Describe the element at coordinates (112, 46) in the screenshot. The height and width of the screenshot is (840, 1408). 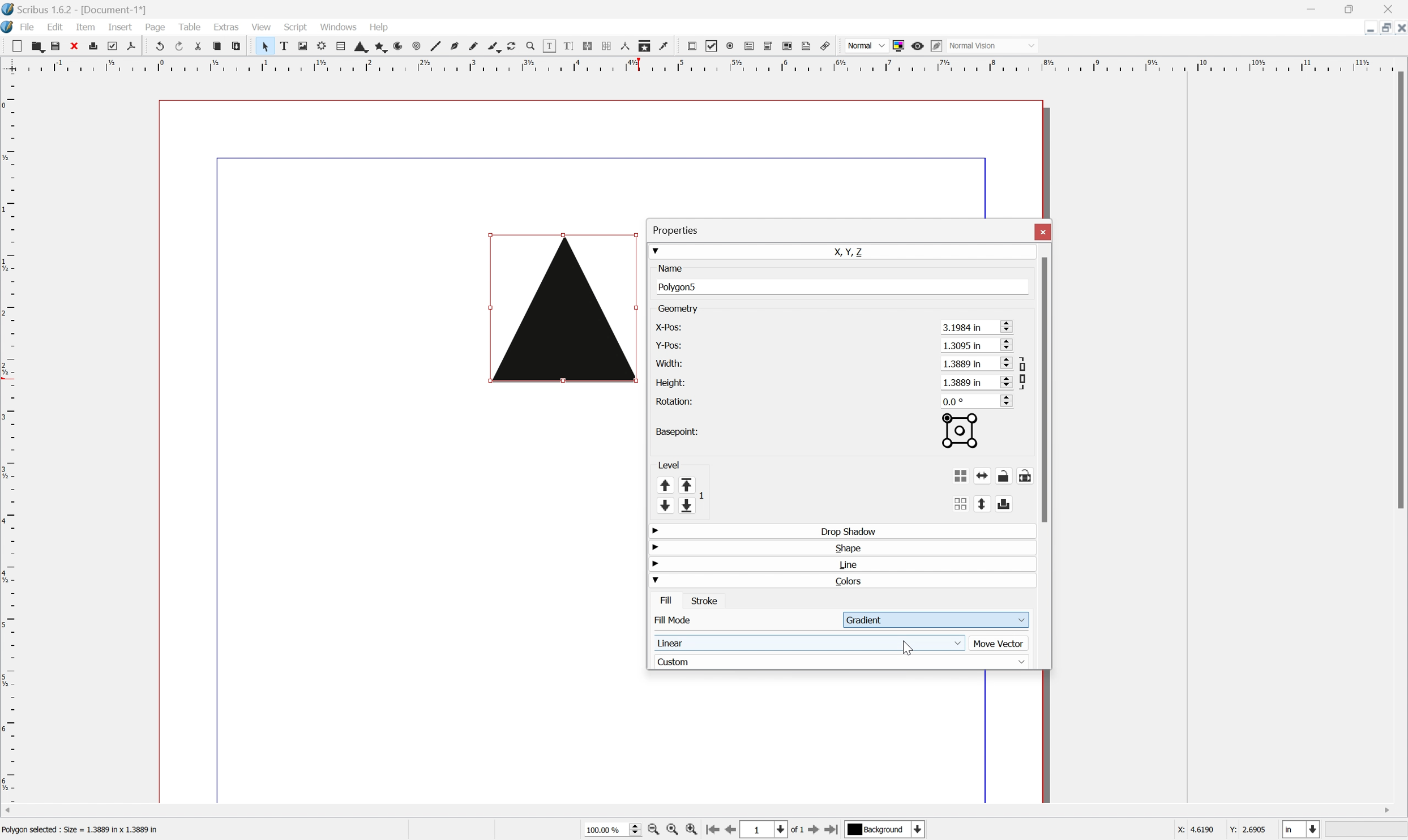
I see `Preflight verifier` at that location.